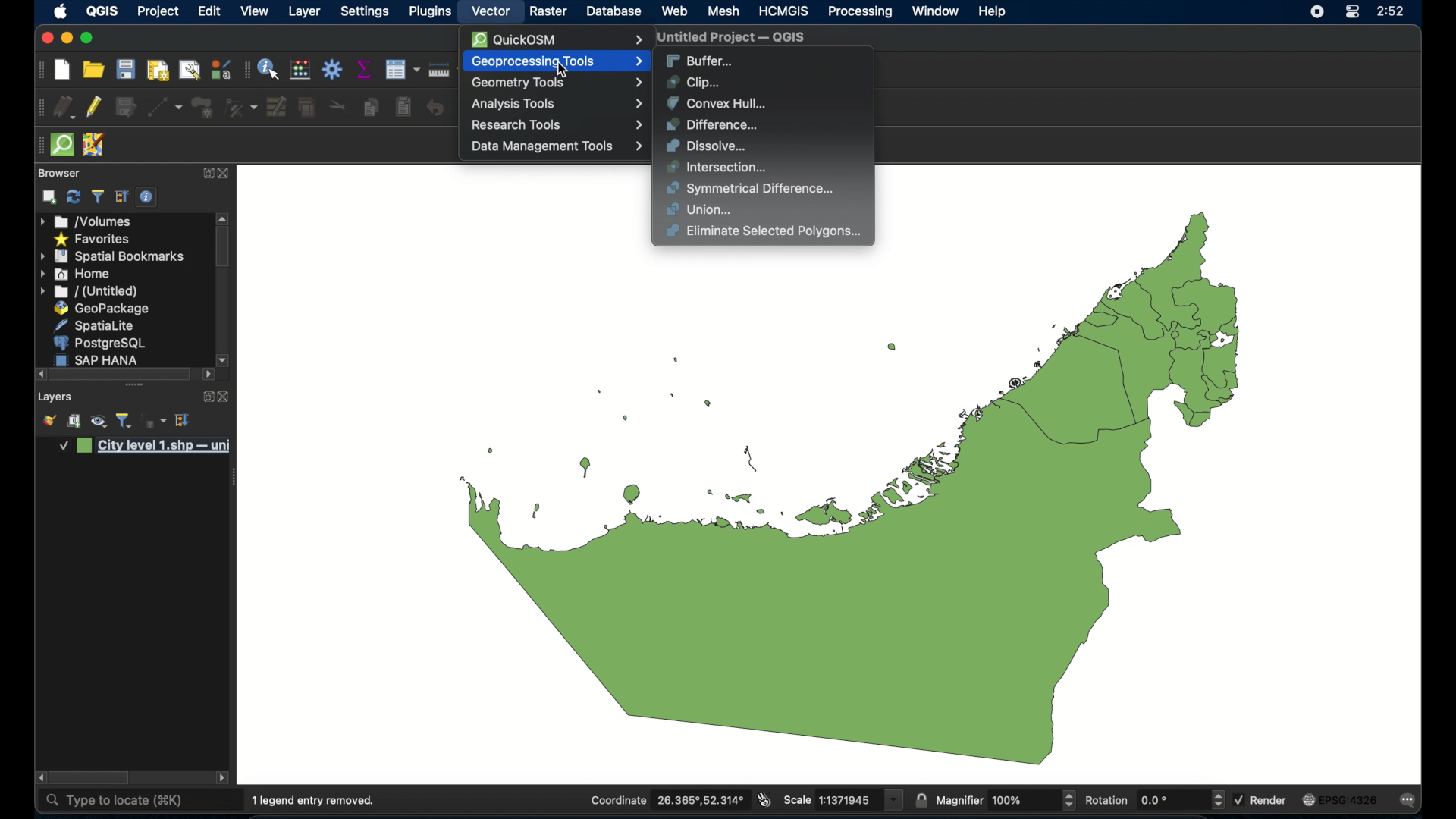 This screenshot has height=819, width=1456. What do you see at coordinates (935, 11) in the screenshot?
I see `window` at bounding box center [935, 11].